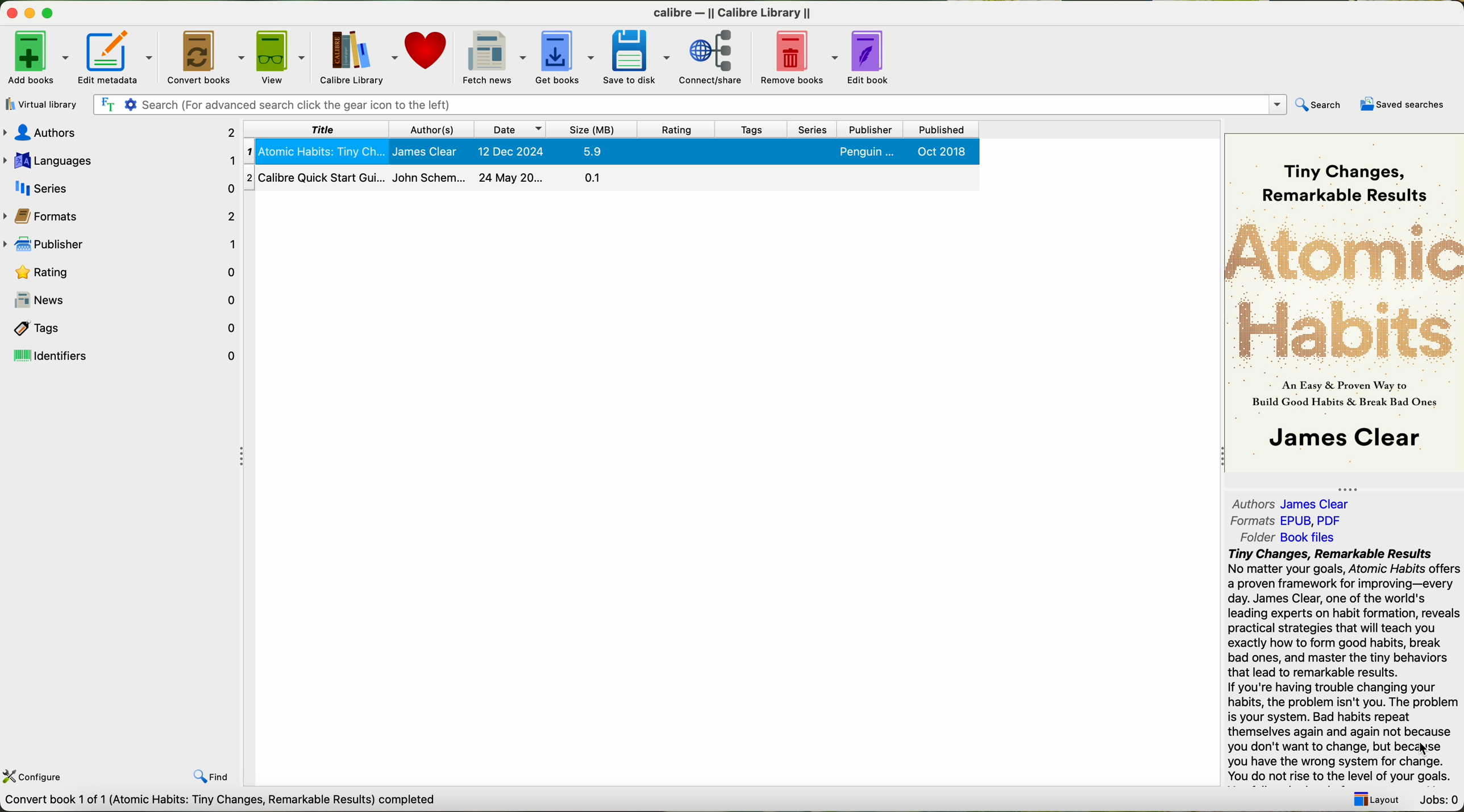 This screenshot has height=812, width=1464. I want to click on tags, so click(752, 130).